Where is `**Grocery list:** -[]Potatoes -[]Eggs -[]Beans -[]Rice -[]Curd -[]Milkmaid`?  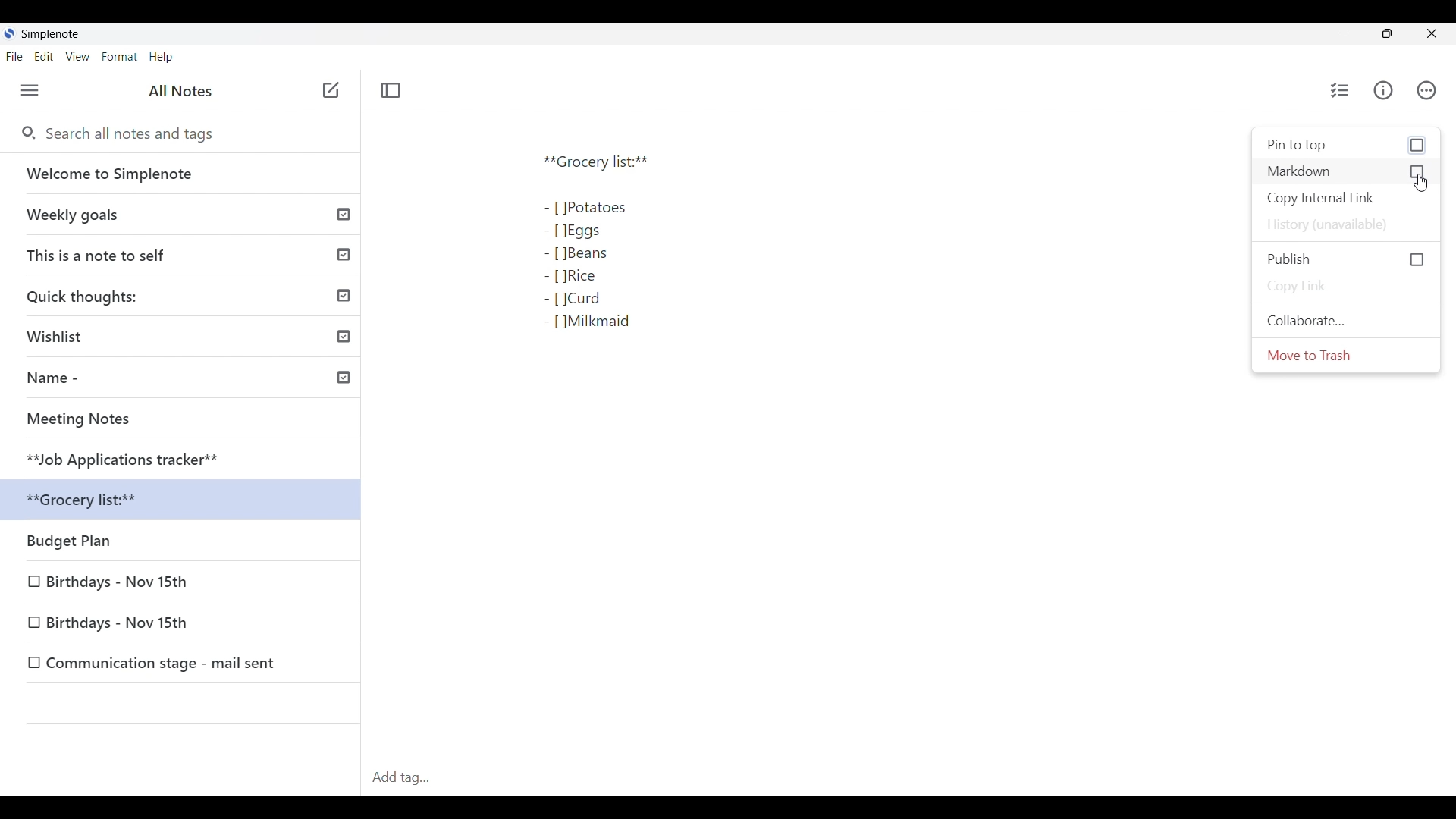 **Grocery list:** -[]Potatoes -[]Eggs -[]Beans -[]Rice -[]Curd -[]Milkmaid is located at coordinates (637, 256).